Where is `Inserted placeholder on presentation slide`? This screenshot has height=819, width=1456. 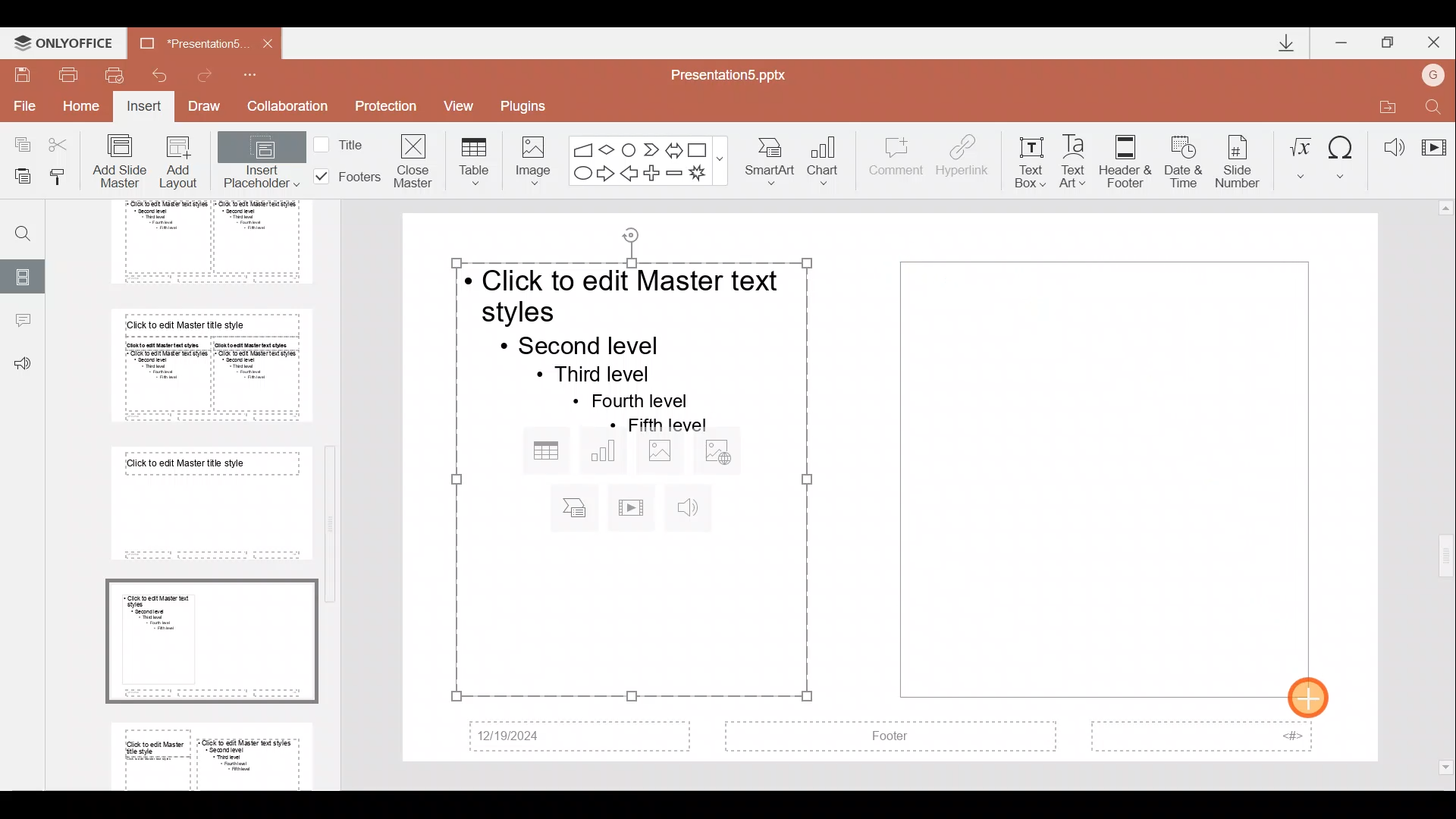 Inserted placeholder on presentation slide is located at coordinates (1106, 477).